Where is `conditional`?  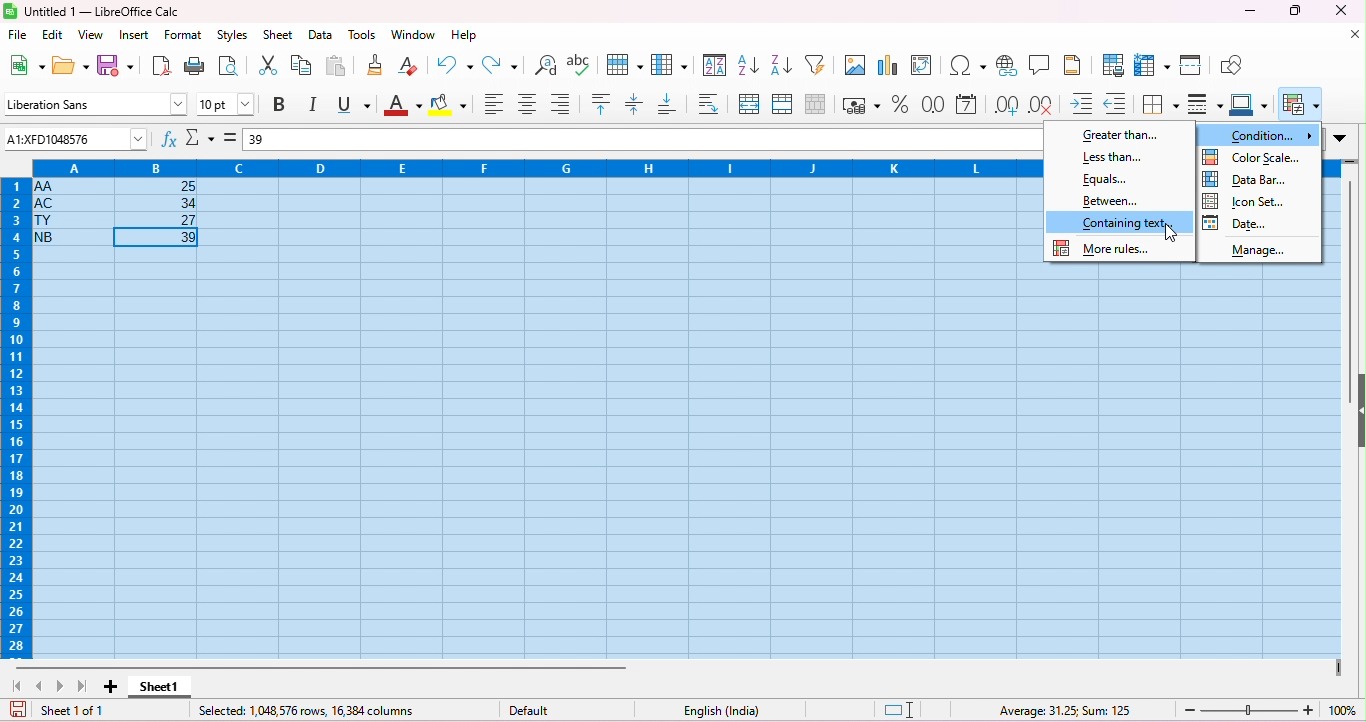
conditional is located at coordinates (1299, 106).